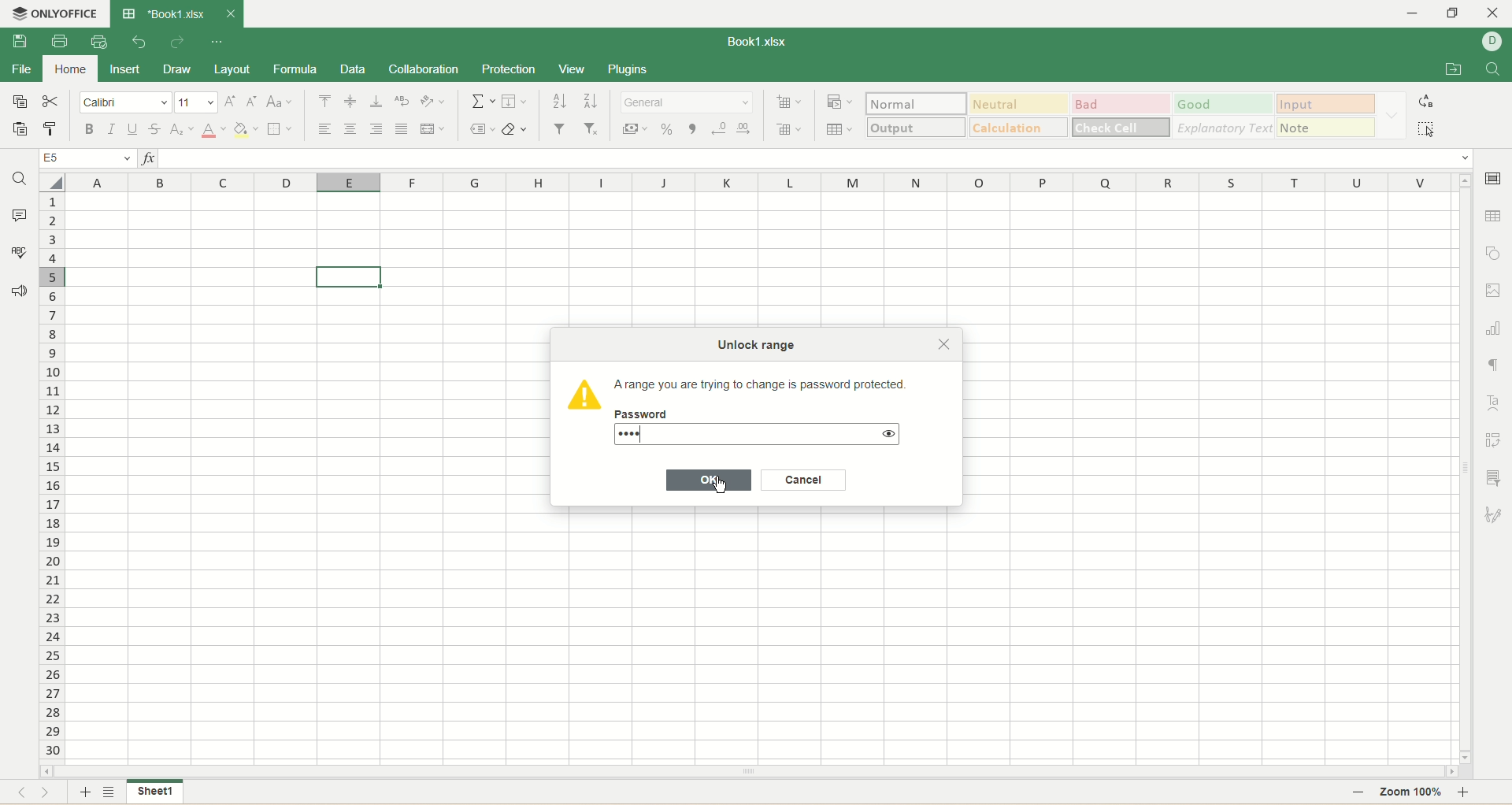  I want to click on find, so click(22, 180).